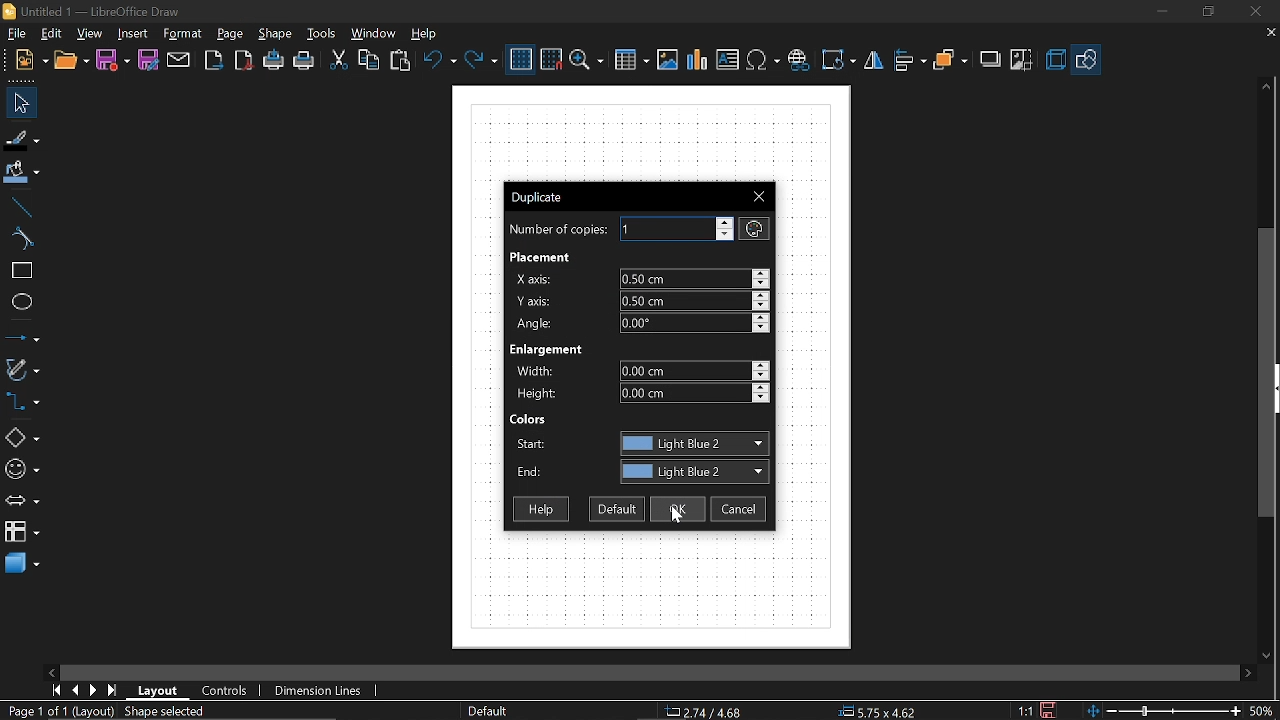  Describe the element at coordinates (22, 434) in the screenshot. I see `Basic shapes` at that location.